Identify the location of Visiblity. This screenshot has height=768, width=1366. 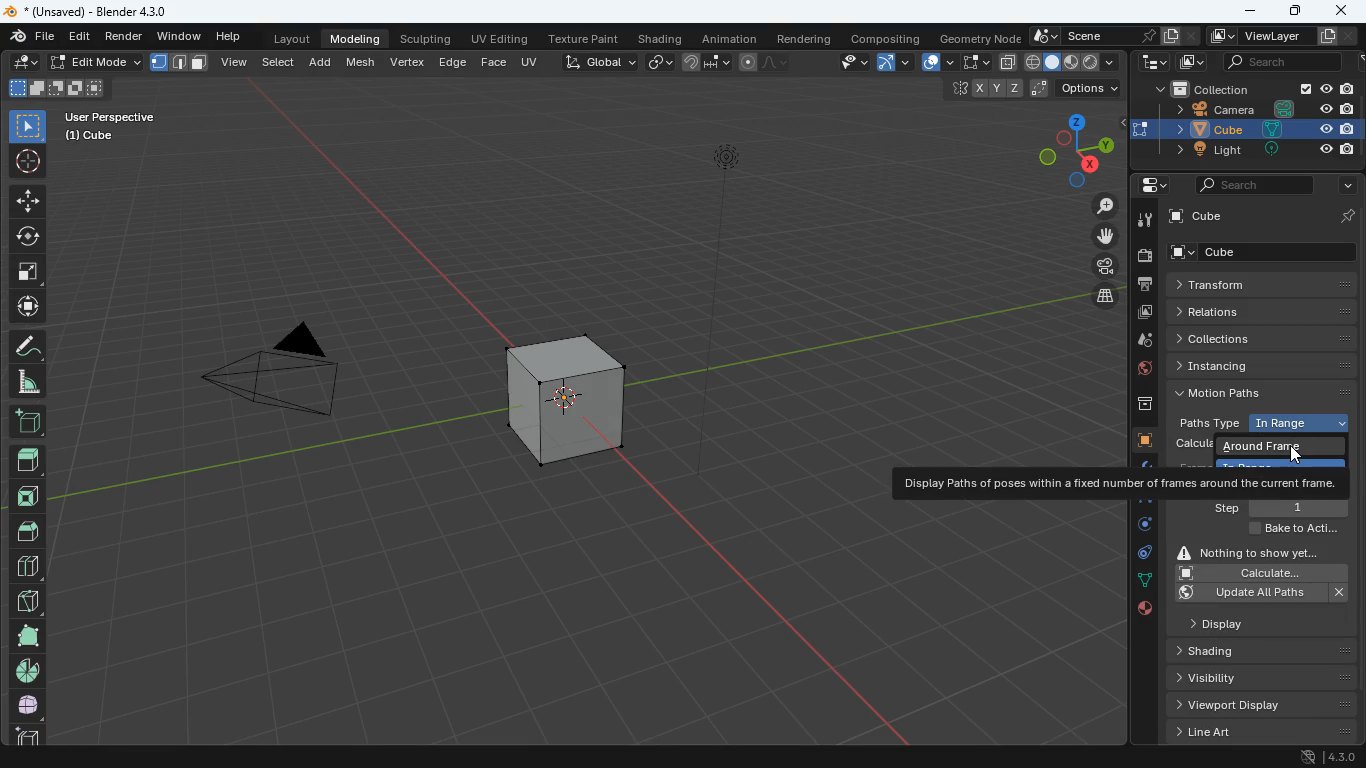
(1234, 676).